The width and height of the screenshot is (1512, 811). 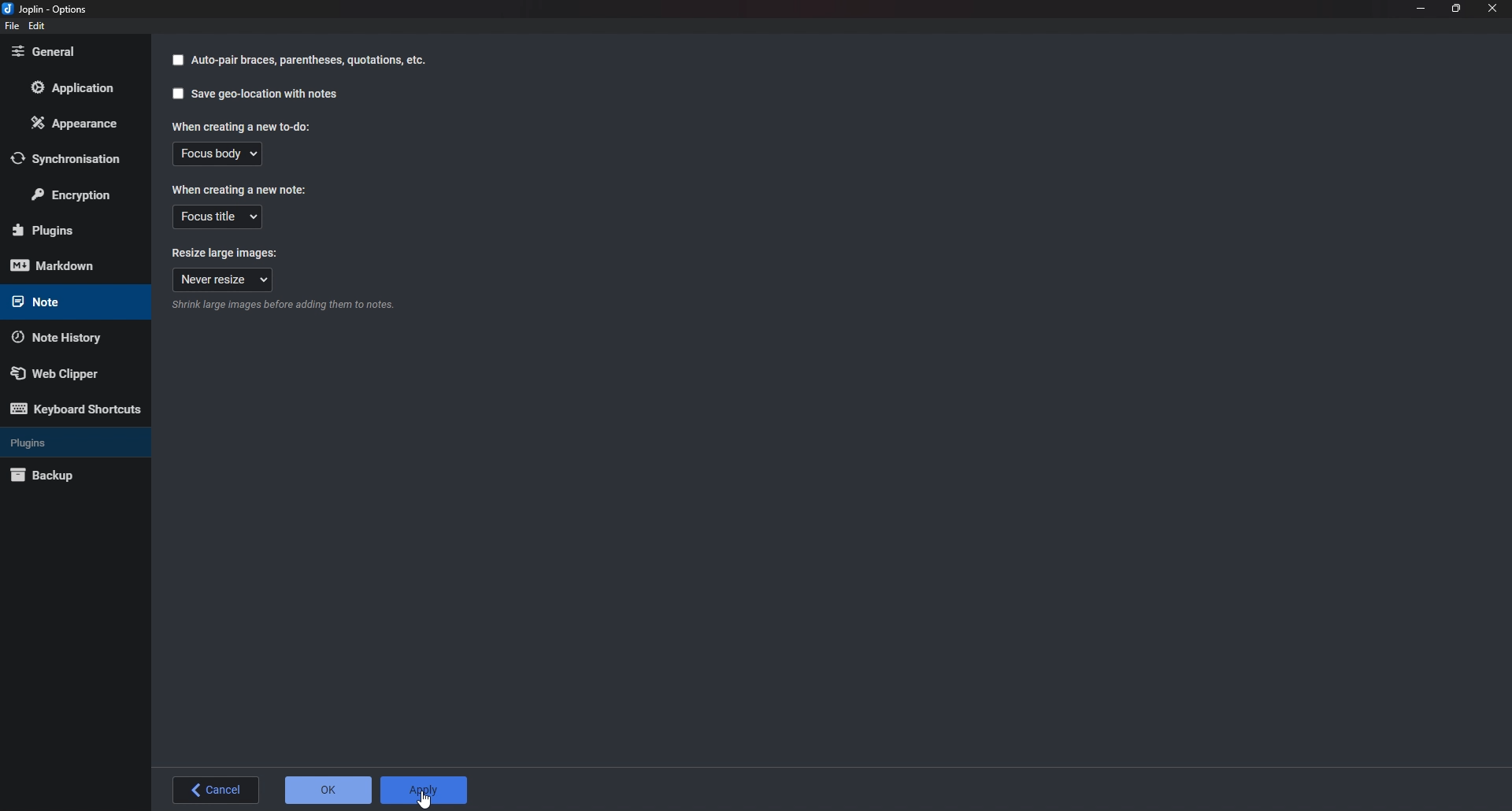 I want to click on Synchronization, so click(x=69, y=159).